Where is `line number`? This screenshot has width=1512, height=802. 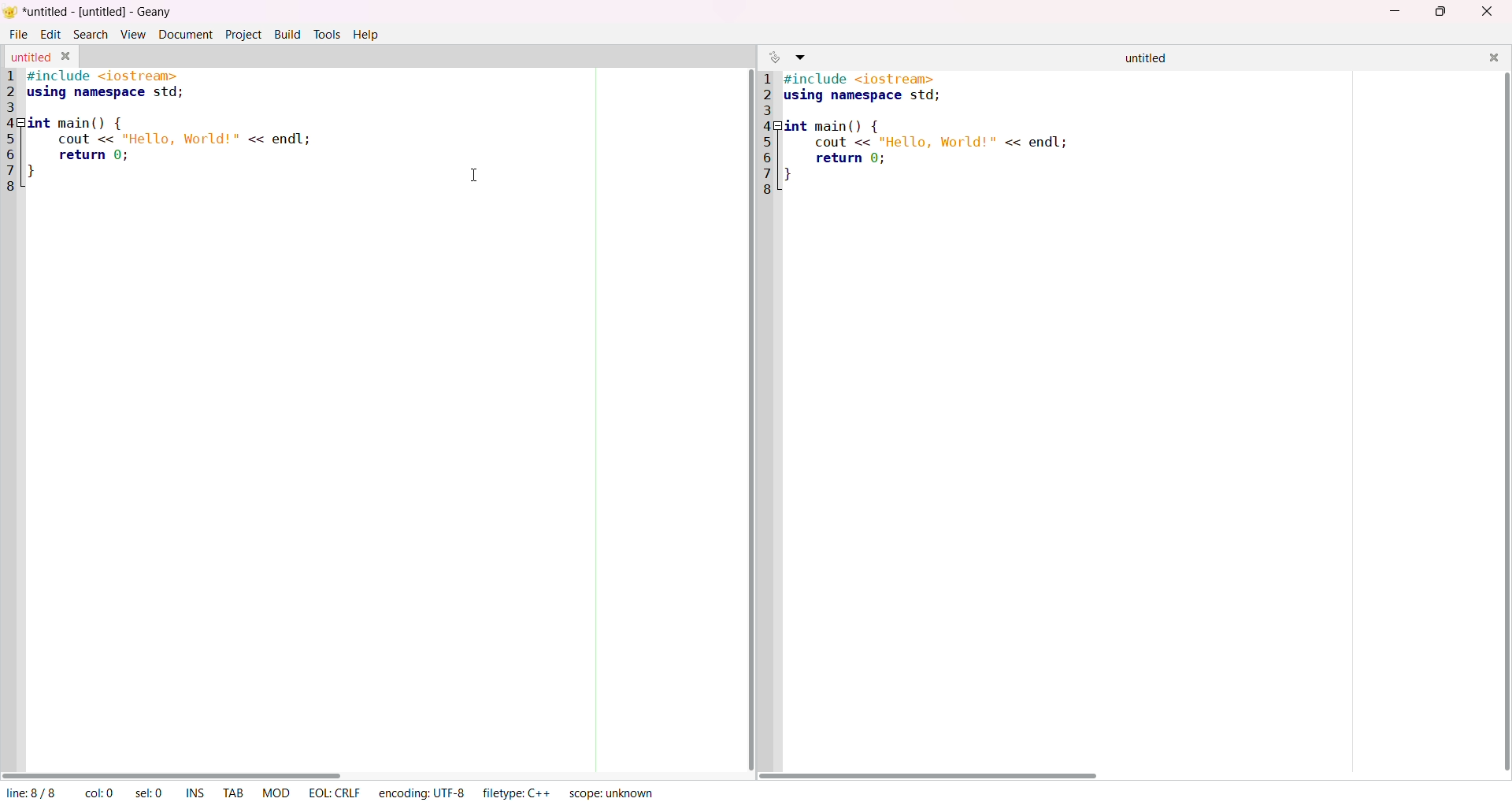 line number is located at coordinates (15, 133).